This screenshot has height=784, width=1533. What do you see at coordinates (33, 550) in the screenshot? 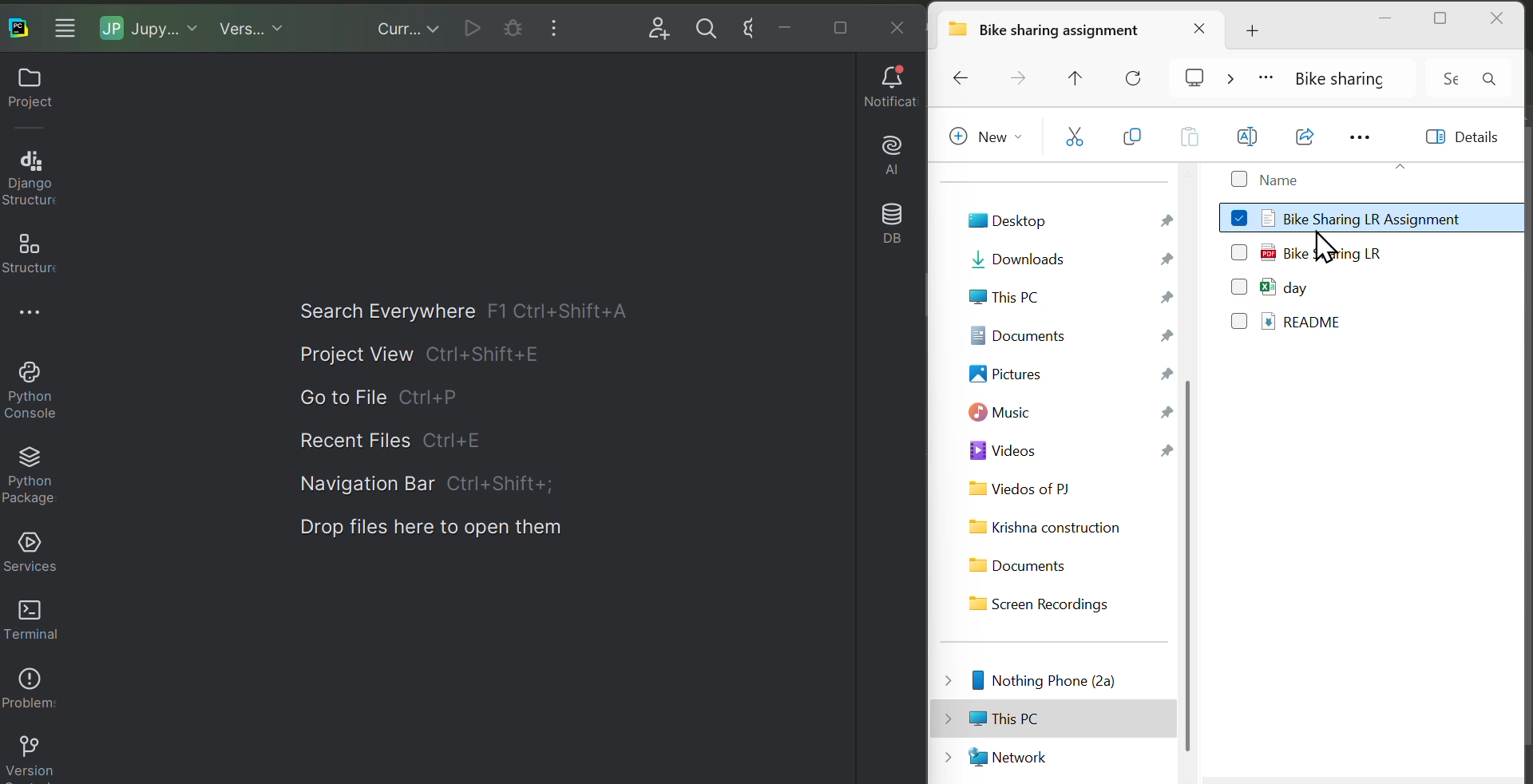
I see `Services` at bounding box center [33, 550].